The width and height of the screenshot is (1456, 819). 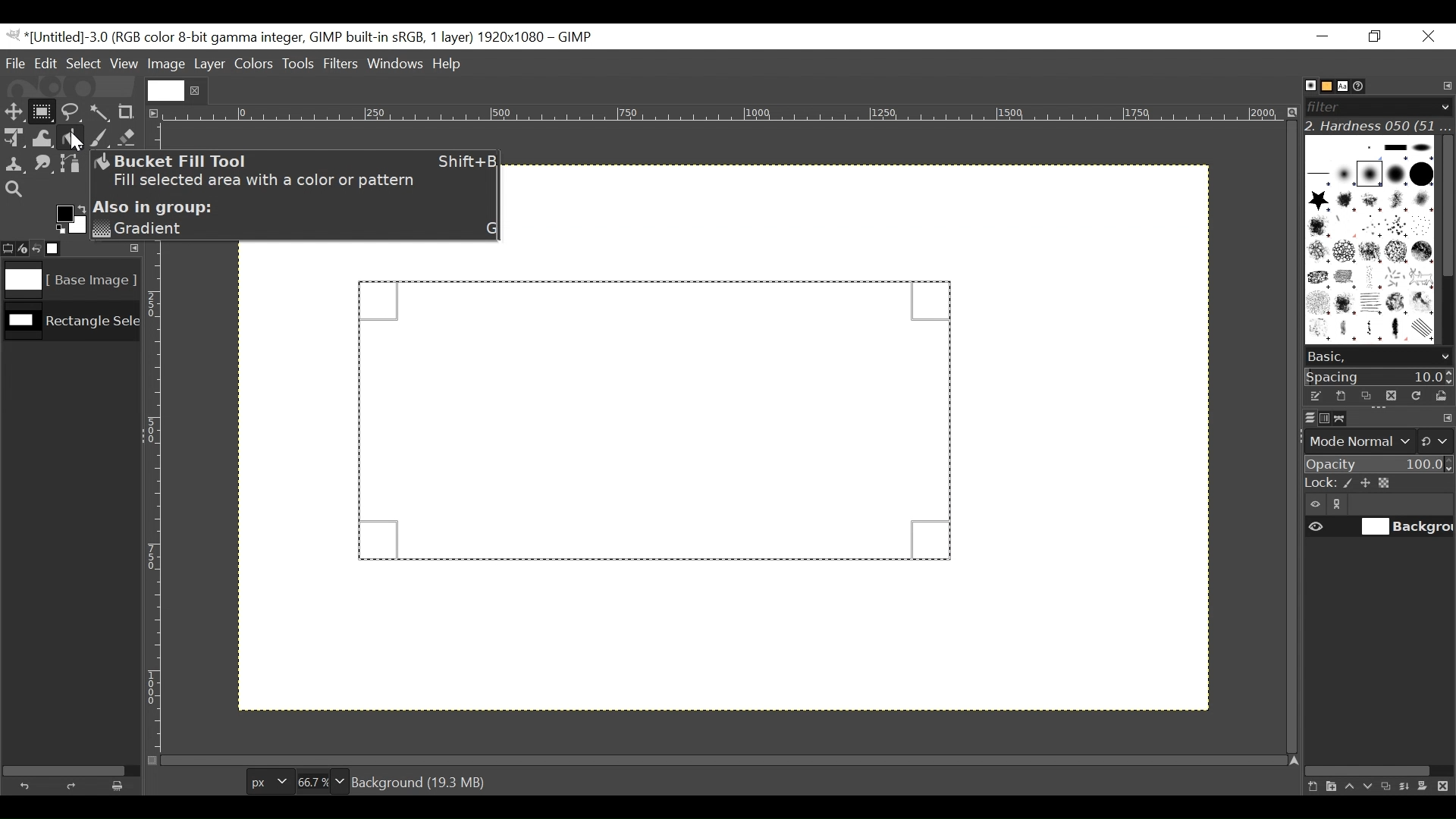 What do you see at coordinates (322, 780) in the screenshot?
I see `Zoom factor` at bounding box center [322, 780].